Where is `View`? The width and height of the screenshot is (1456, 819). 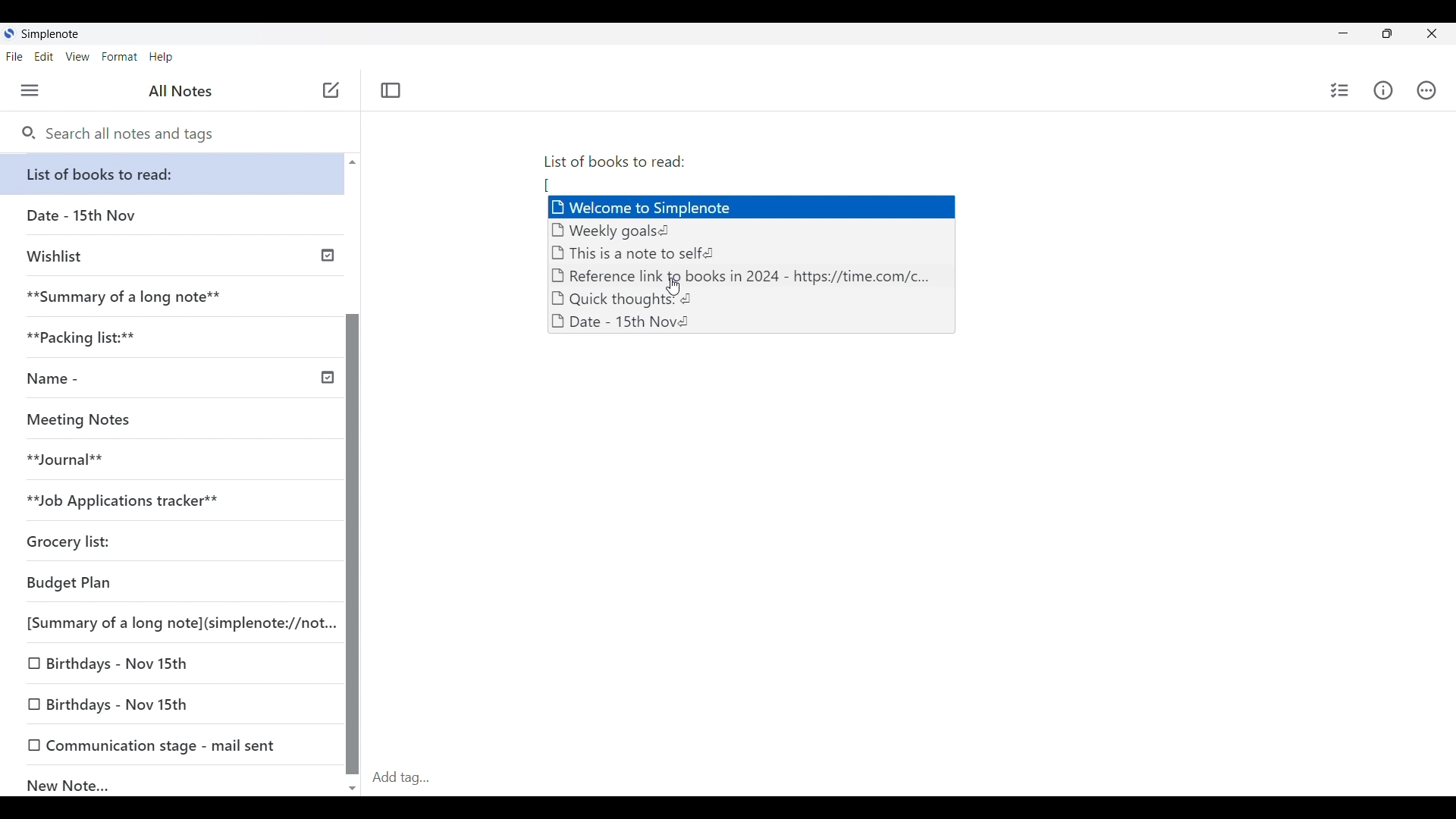 View is located at coordinates (78, 57).